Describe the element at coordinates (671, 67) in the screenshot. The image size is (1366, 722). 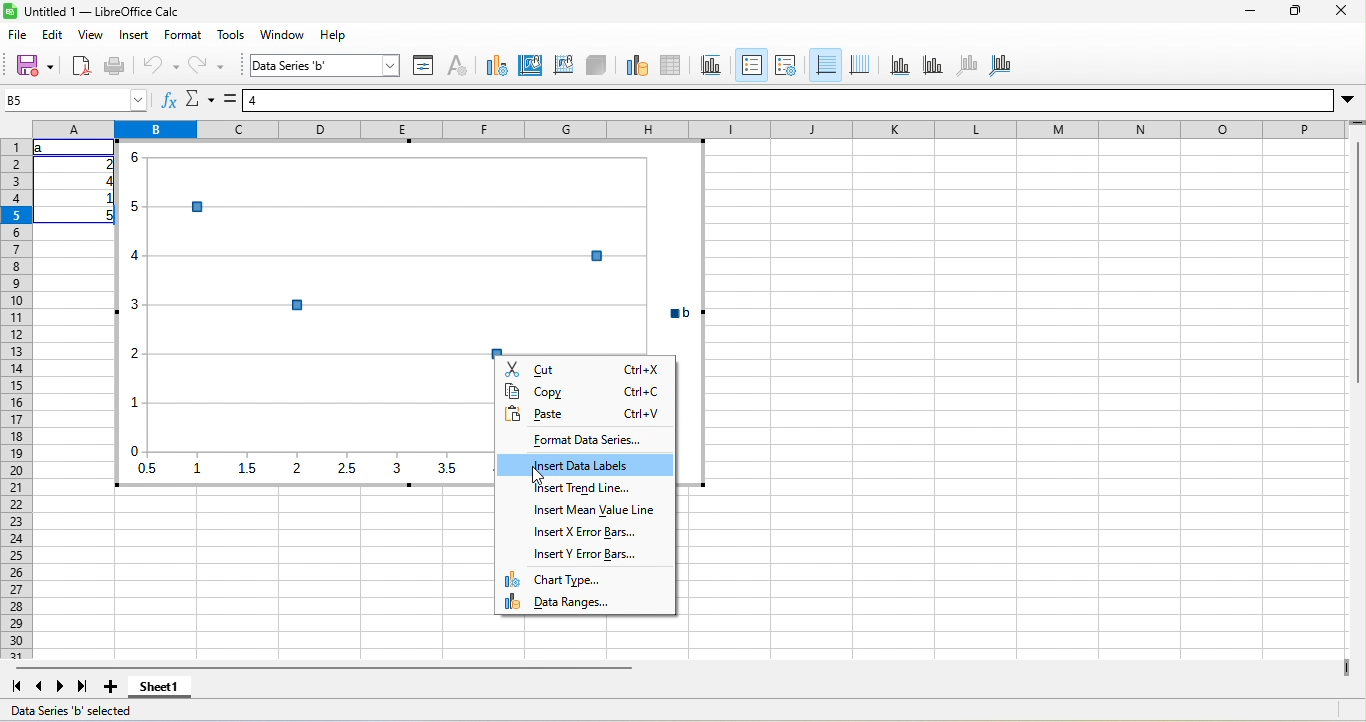
I see `data table` at that location.